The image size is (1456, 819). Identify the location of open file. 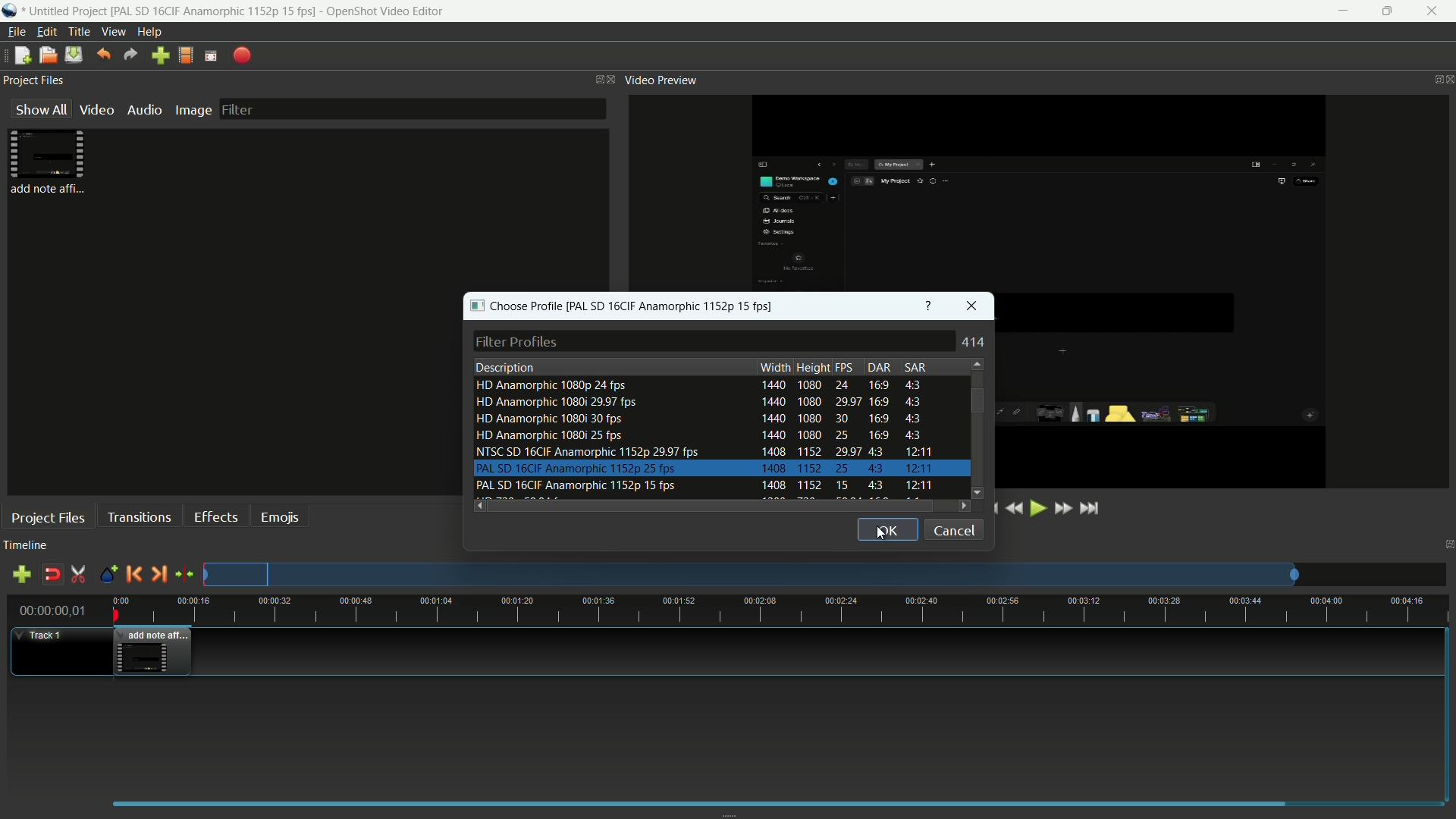
(46, 55).